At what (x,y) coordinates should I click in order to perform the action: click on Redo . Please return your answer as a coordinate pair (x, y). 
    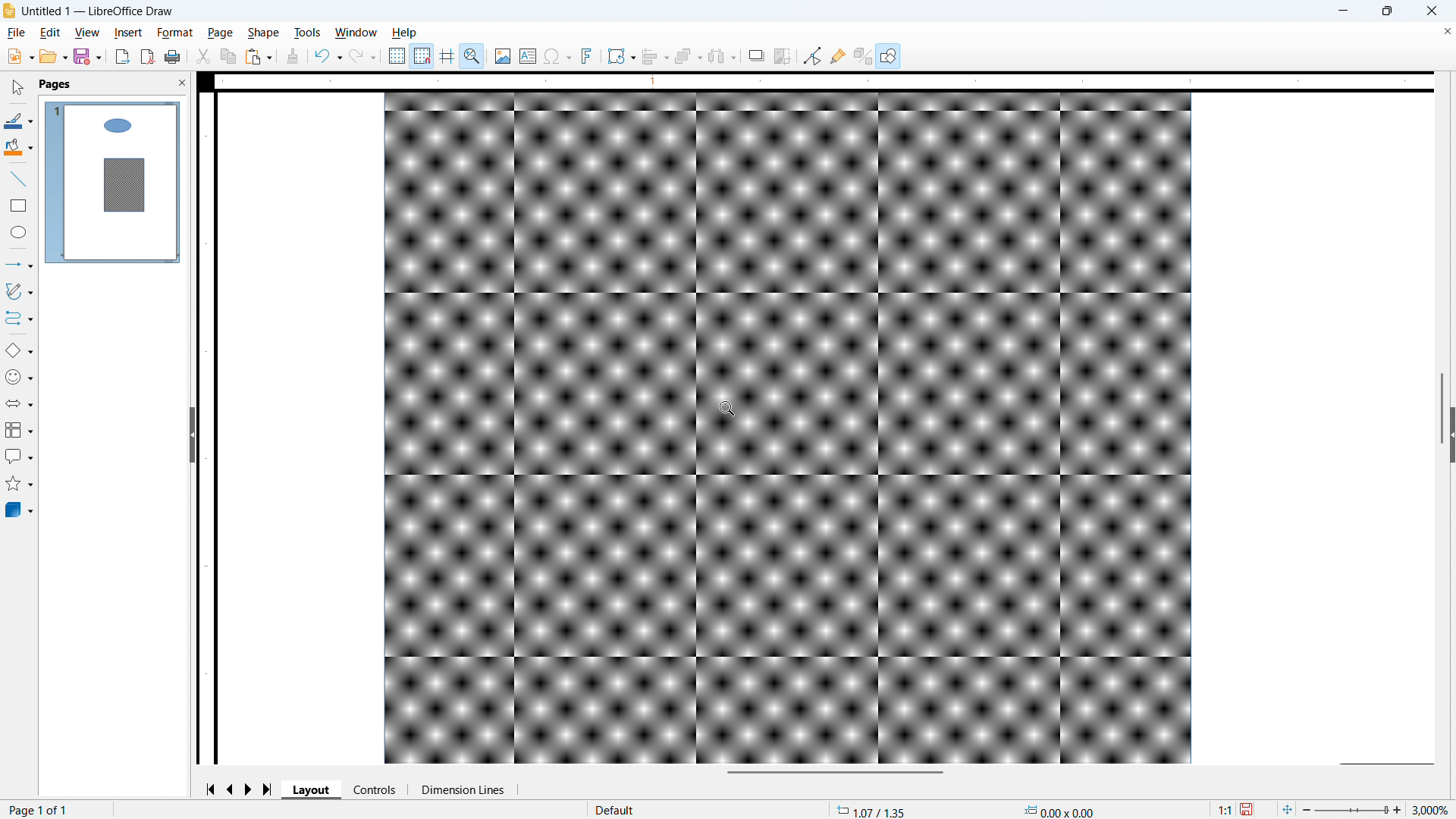
    Looking at the image, I should click on (362, 57).